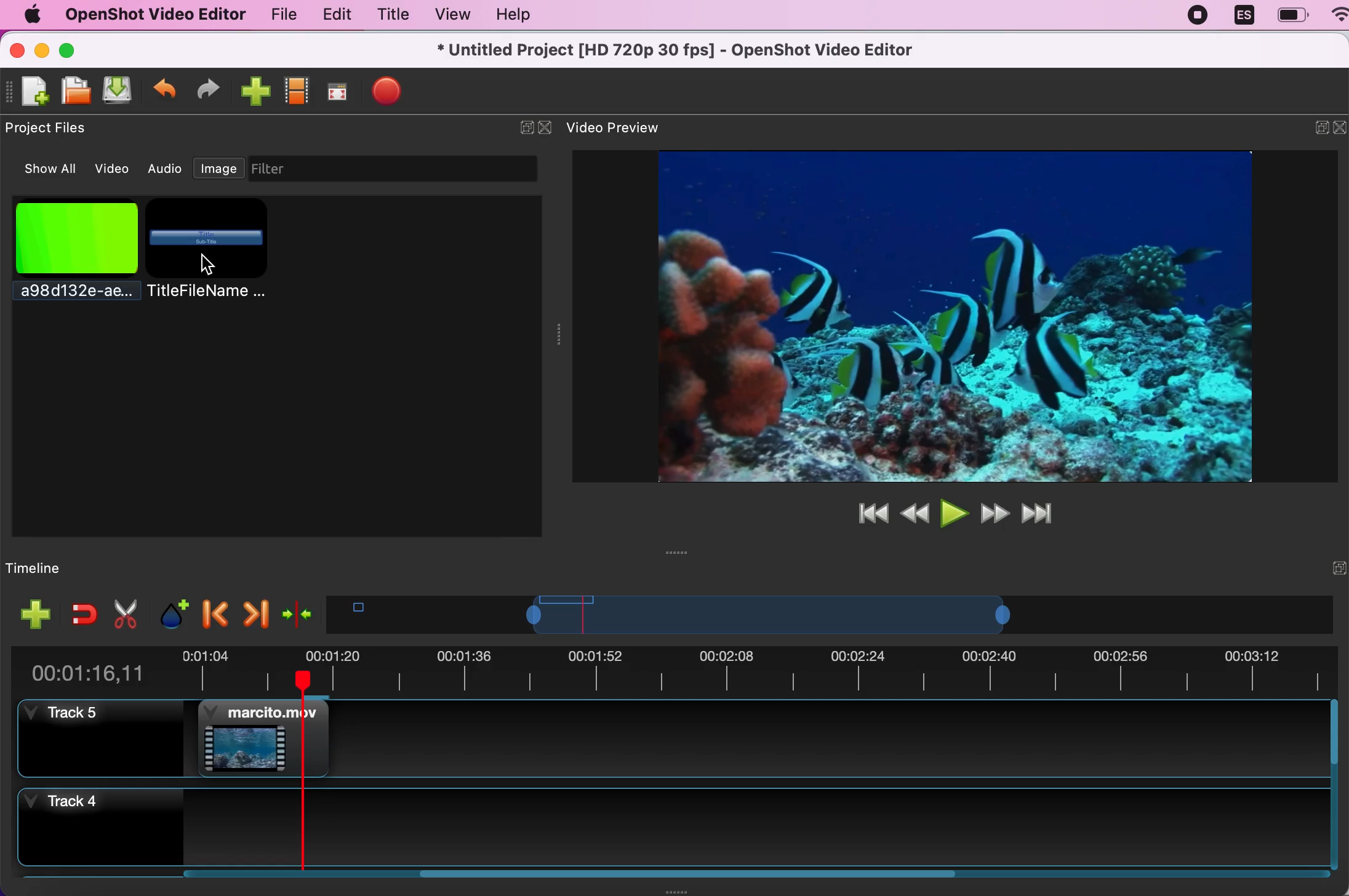  Describe the element at coordinates (52, 129) in the screenshot. I see `project files` at that location.